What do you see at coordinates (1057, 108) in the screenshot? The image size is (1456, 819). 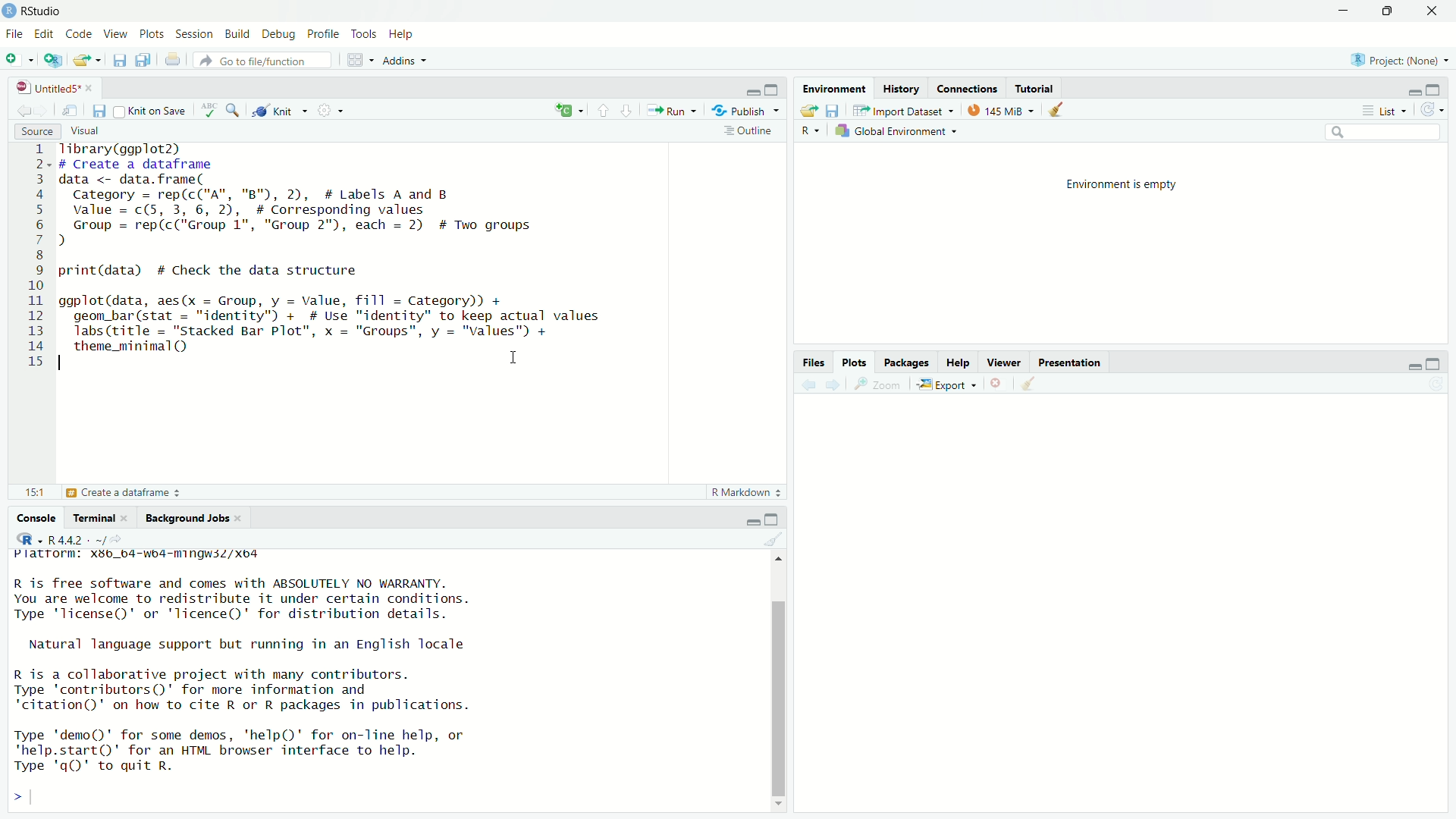 I see `Clear console (Ctrl + L)` at bounding box center [1057, 108].